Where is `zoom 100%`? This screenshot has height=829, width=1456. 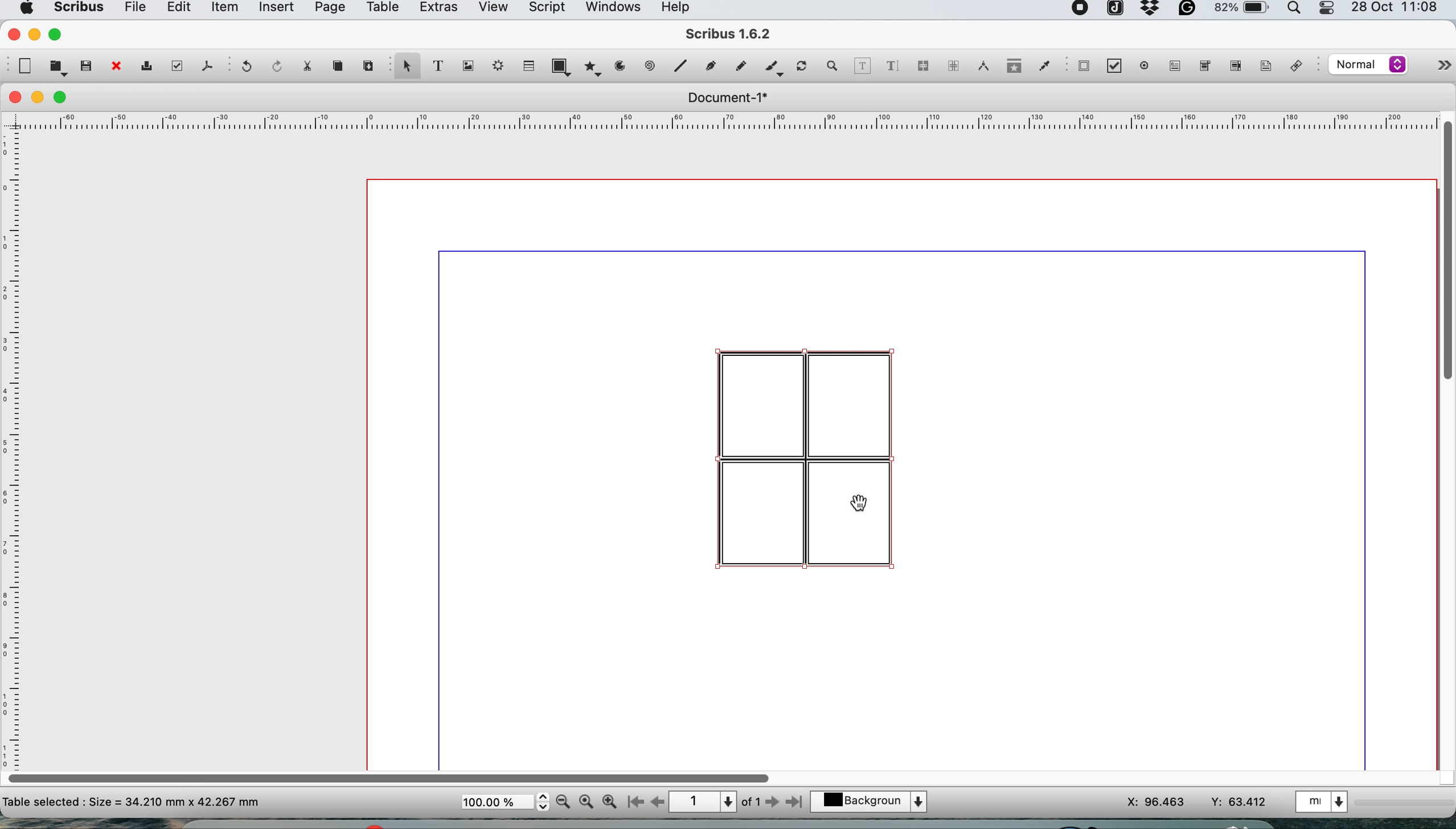
zoom 100% is located at coordinates (588, 801).